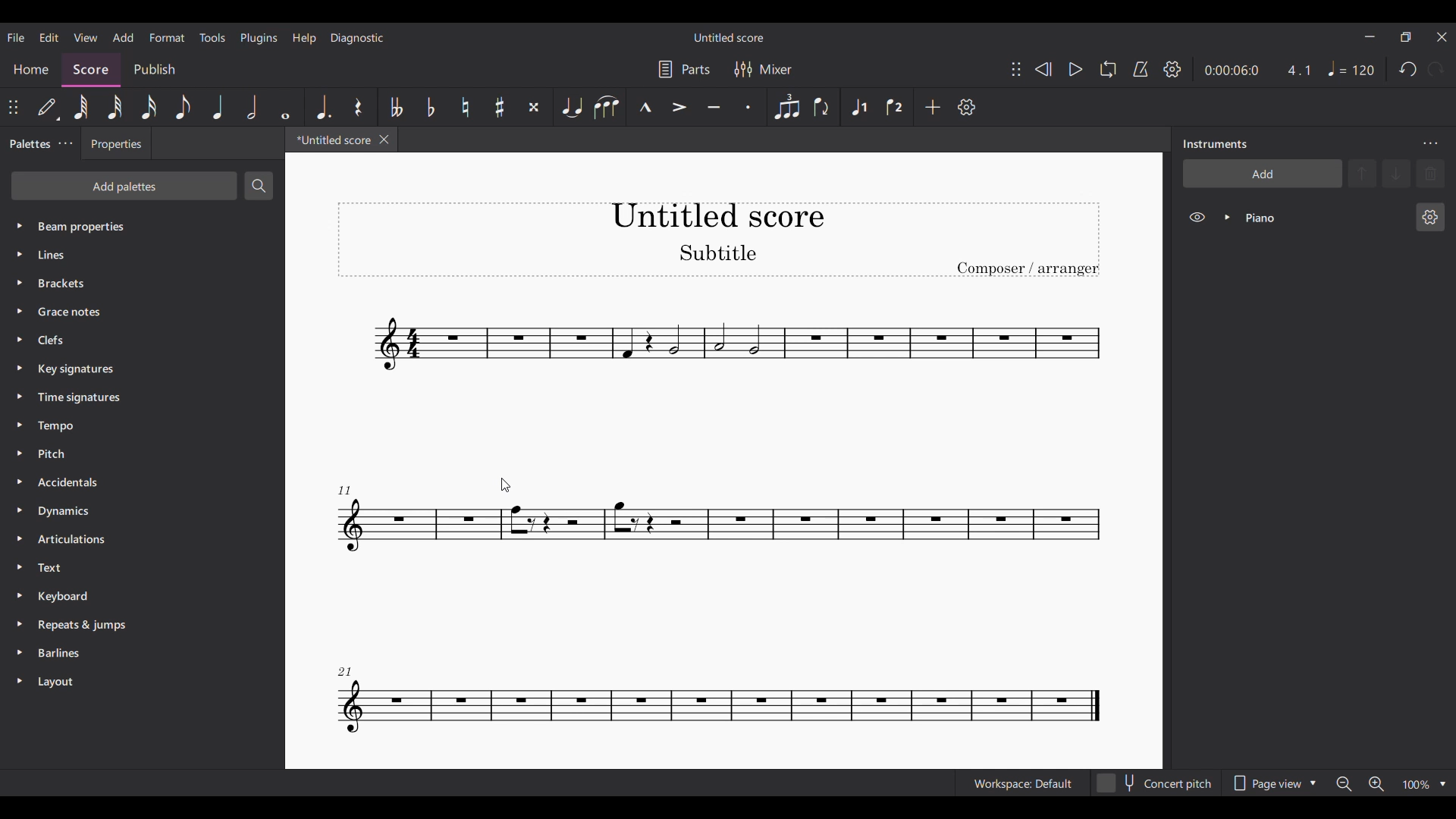  I want to click on More settings, so click(65, 144).